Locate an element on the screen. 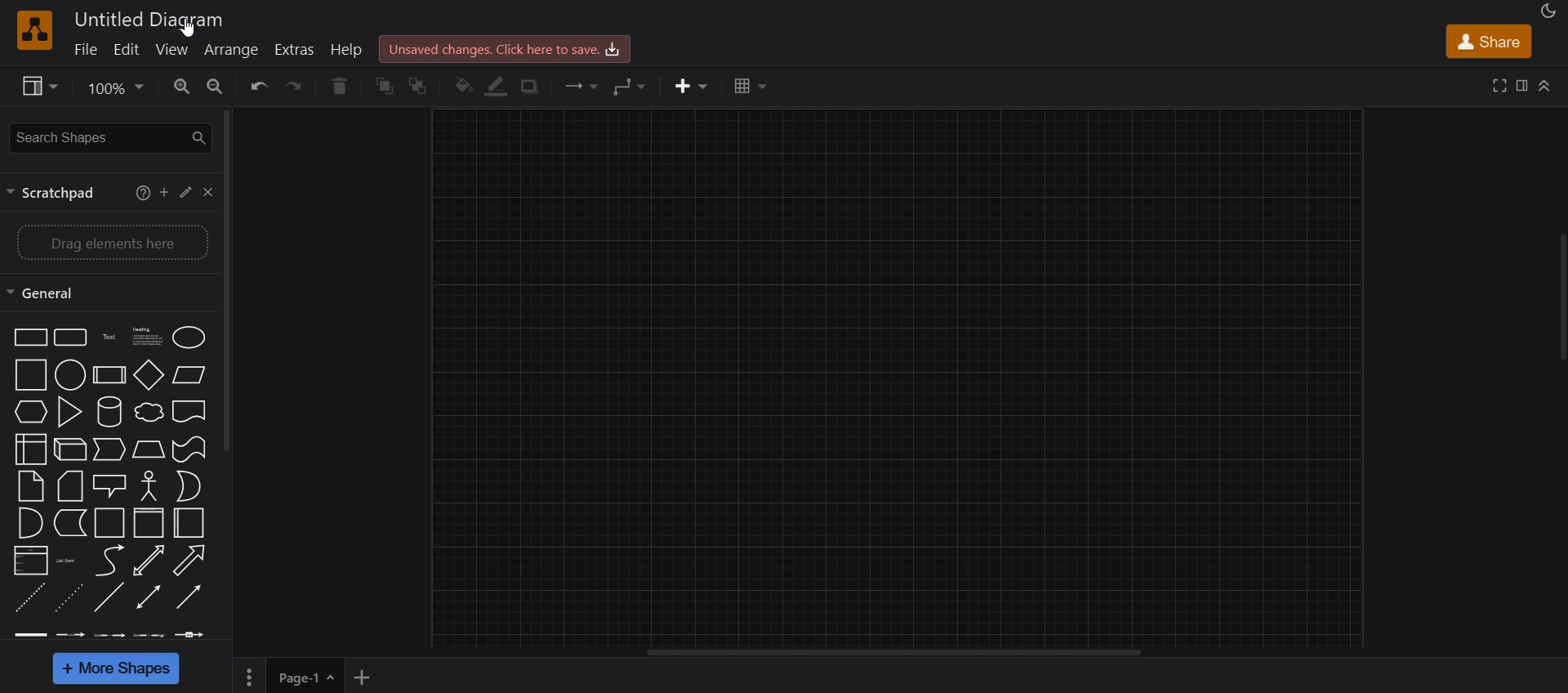 This screenshot has height=693, width=1568. extras is located at coordinates (296, 49).